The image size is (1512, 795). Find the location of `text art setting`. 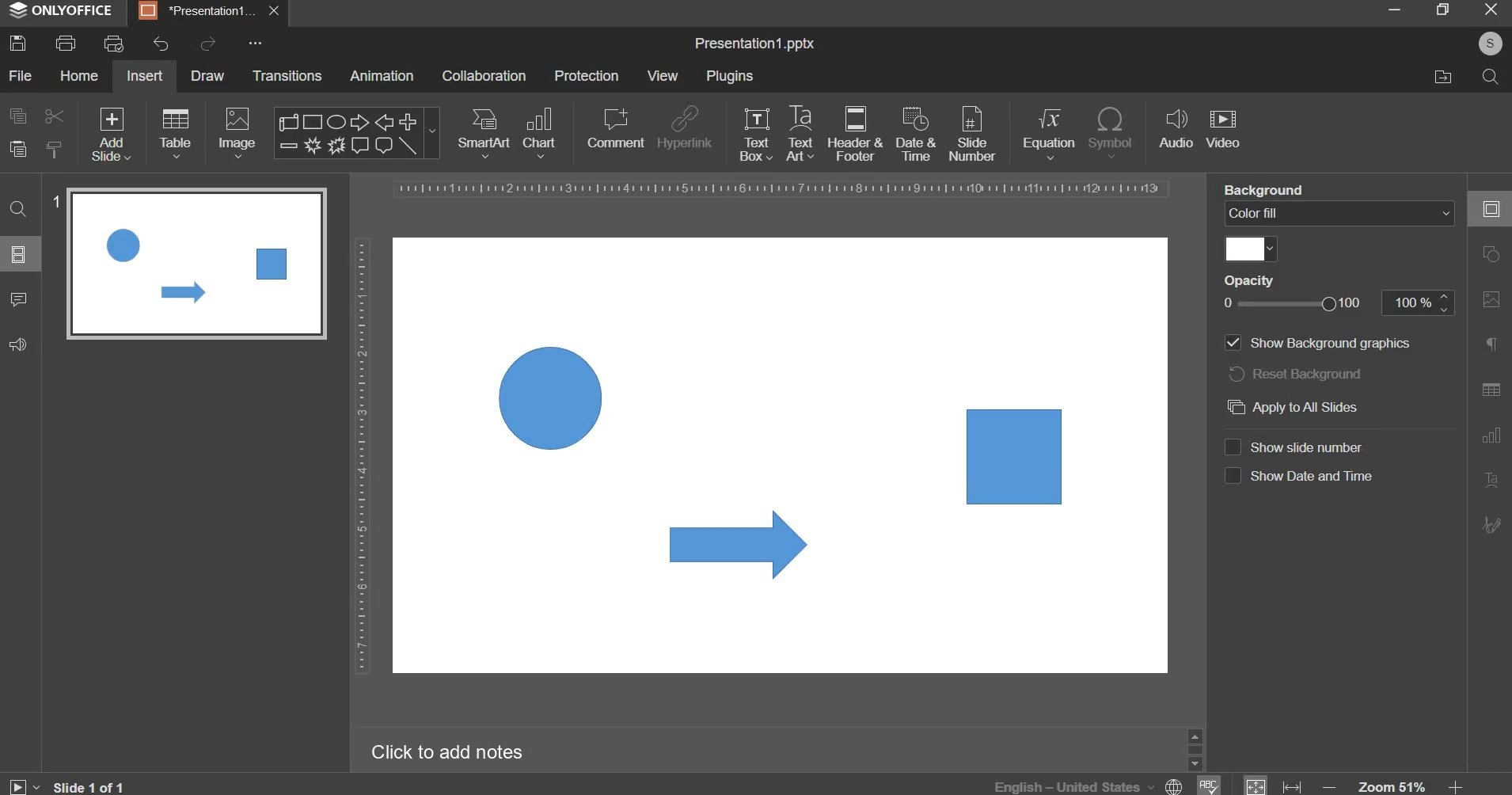

text art setting is located at coordinates (1490, 478).